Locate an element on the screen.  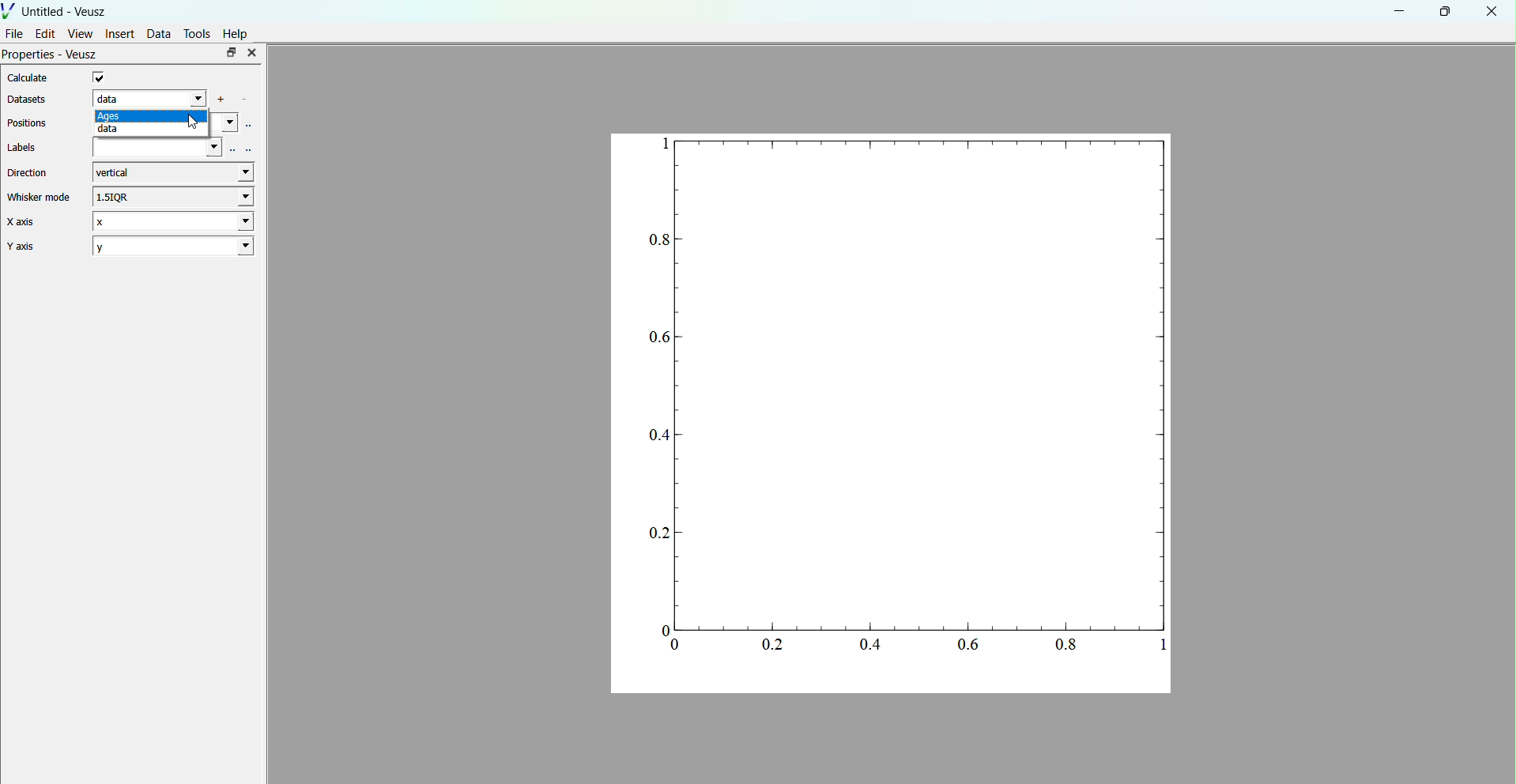
Labels is located at coordinates (26, 147).